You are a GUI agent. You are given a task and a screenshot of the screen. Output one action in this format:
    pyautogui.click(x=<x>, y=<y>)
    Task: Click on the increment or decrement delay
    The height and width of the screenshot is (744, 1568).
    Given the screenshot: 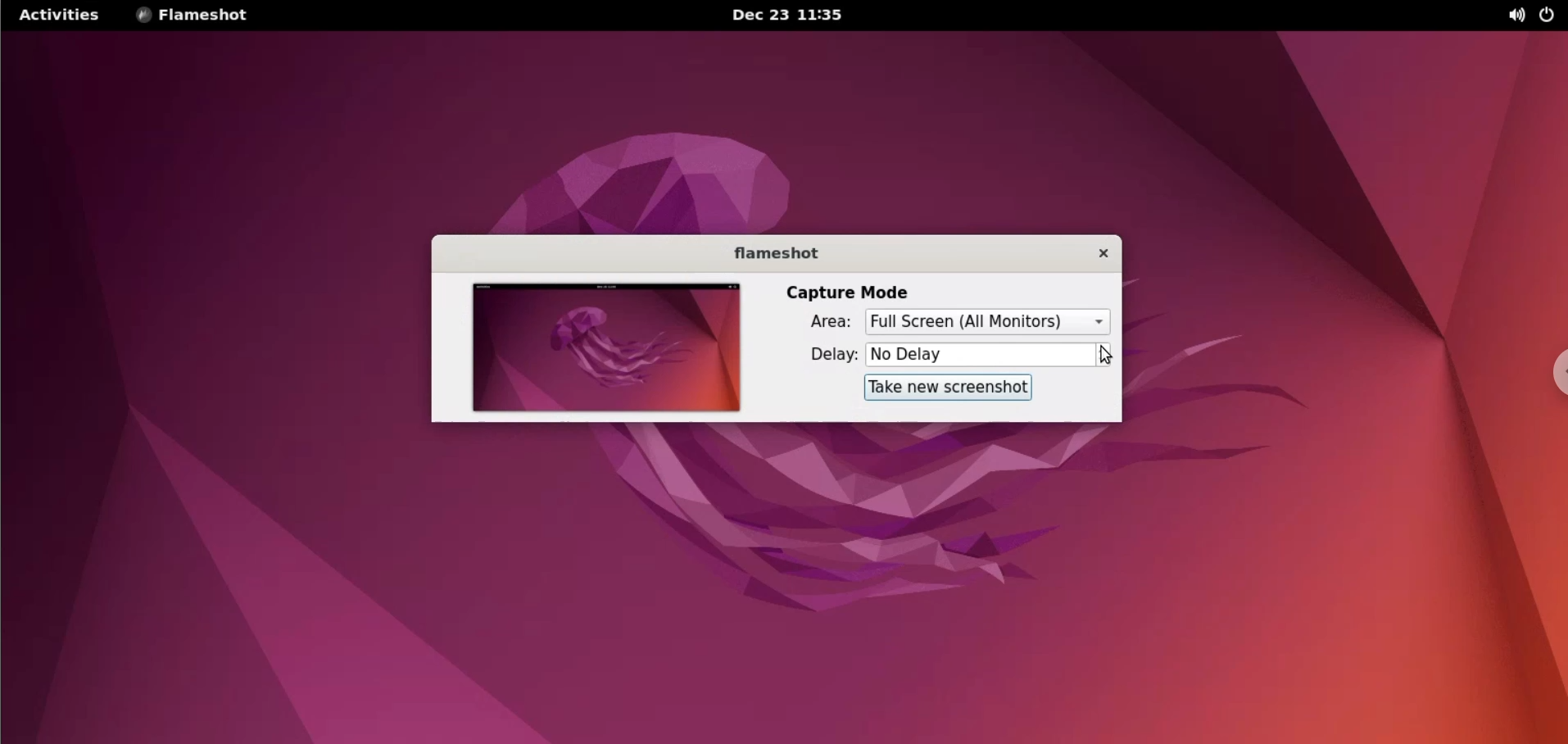 What is the action you would take?
    pyautogui.click(x=1108, y=355)
    